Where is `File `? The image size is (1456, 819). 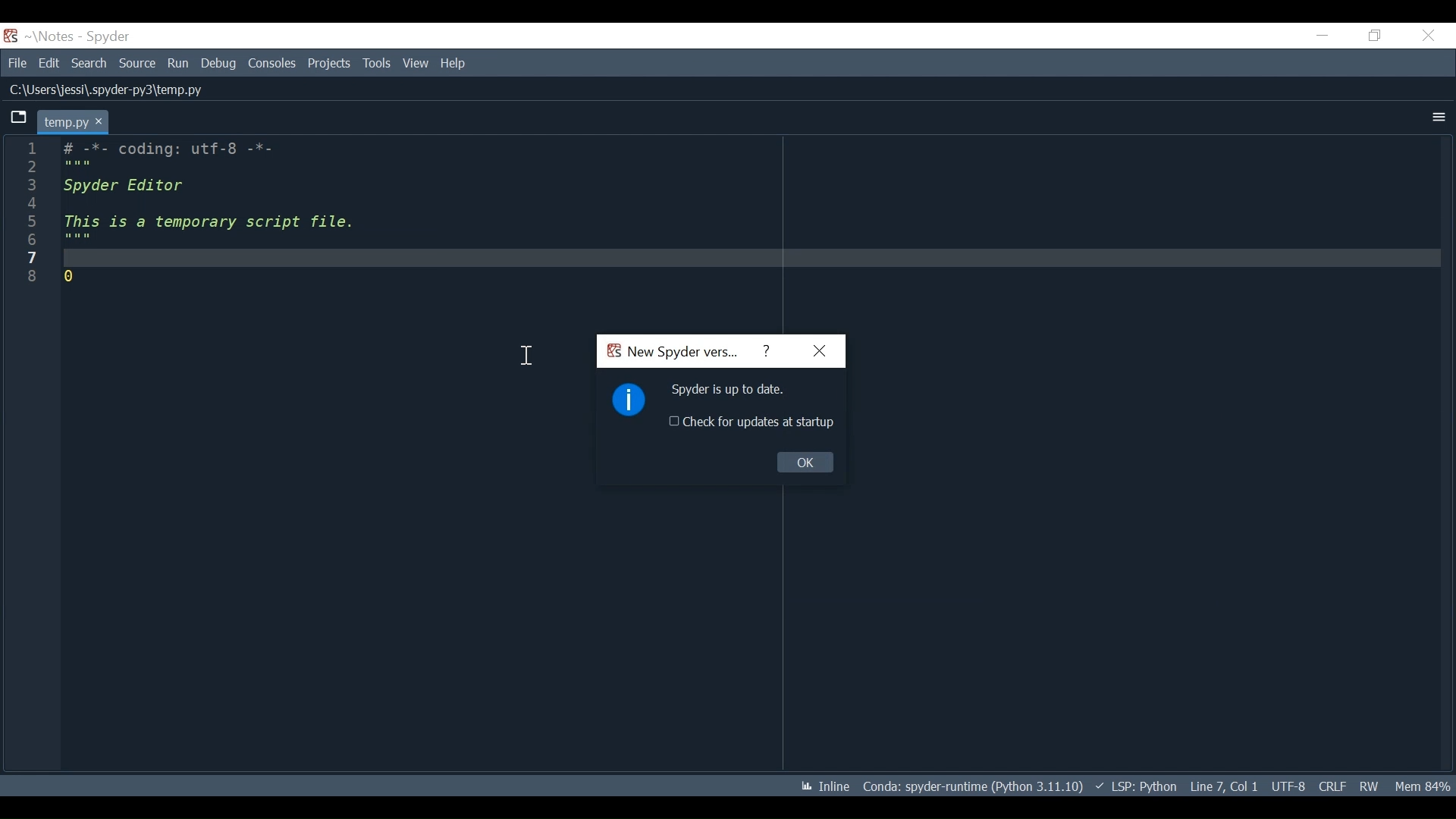
File  is located at coordinates (17, 62).